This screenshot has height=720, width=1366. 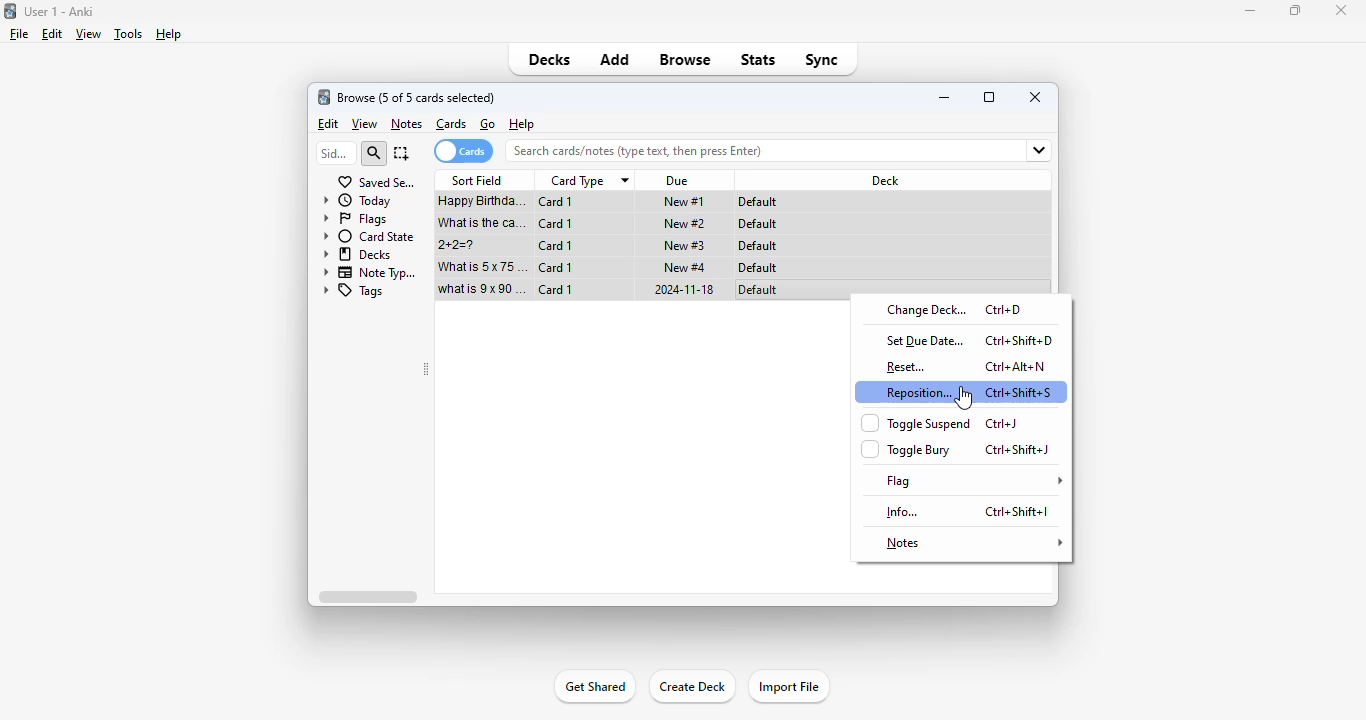 What do you see at coordinates (916, 423) in the screenshot?
I see `toggle suspend` at bounding box center [916, 423].